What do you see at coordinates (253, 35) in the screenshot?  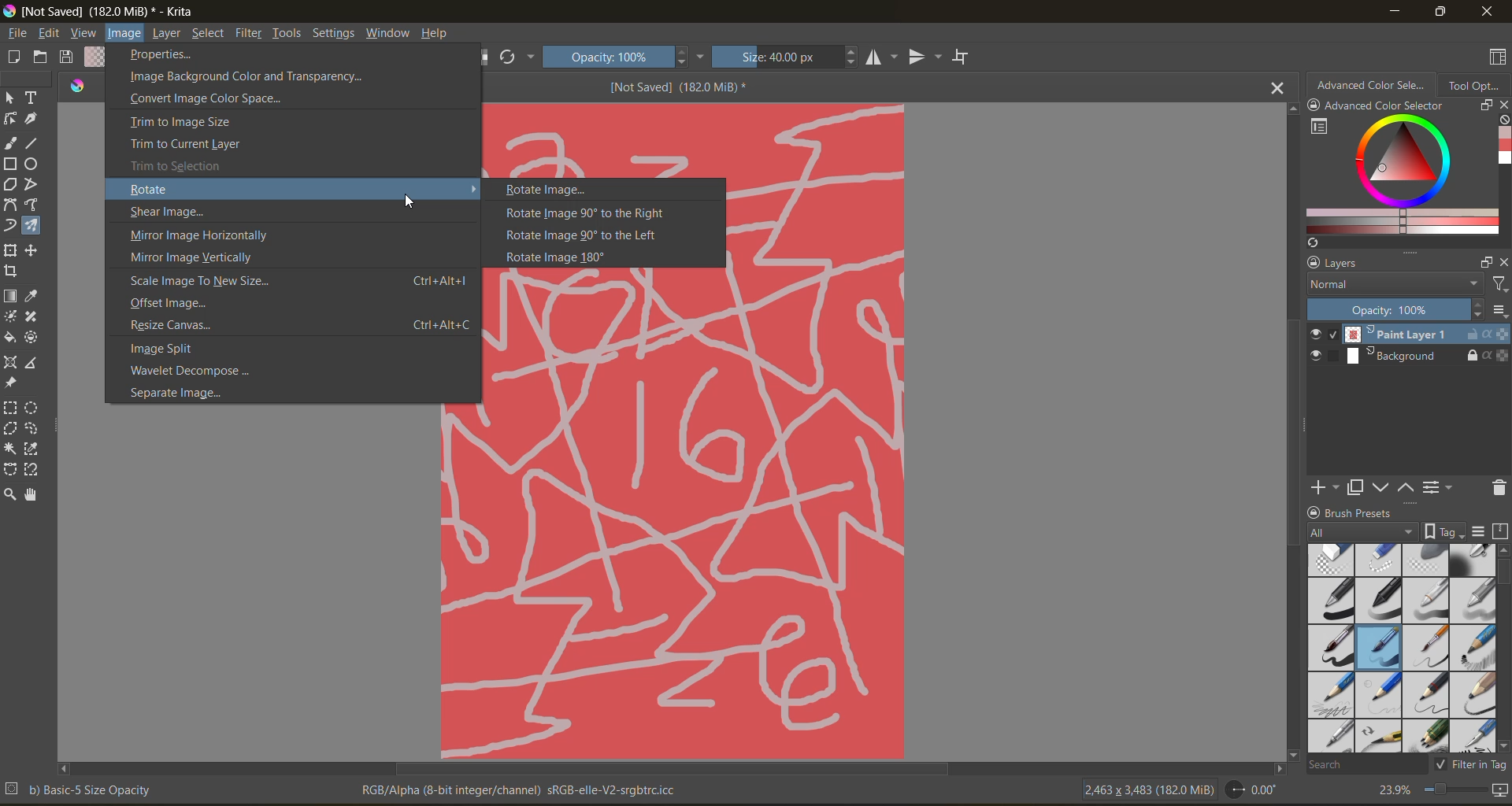 I see `filters` at bounding box center [253, 35].